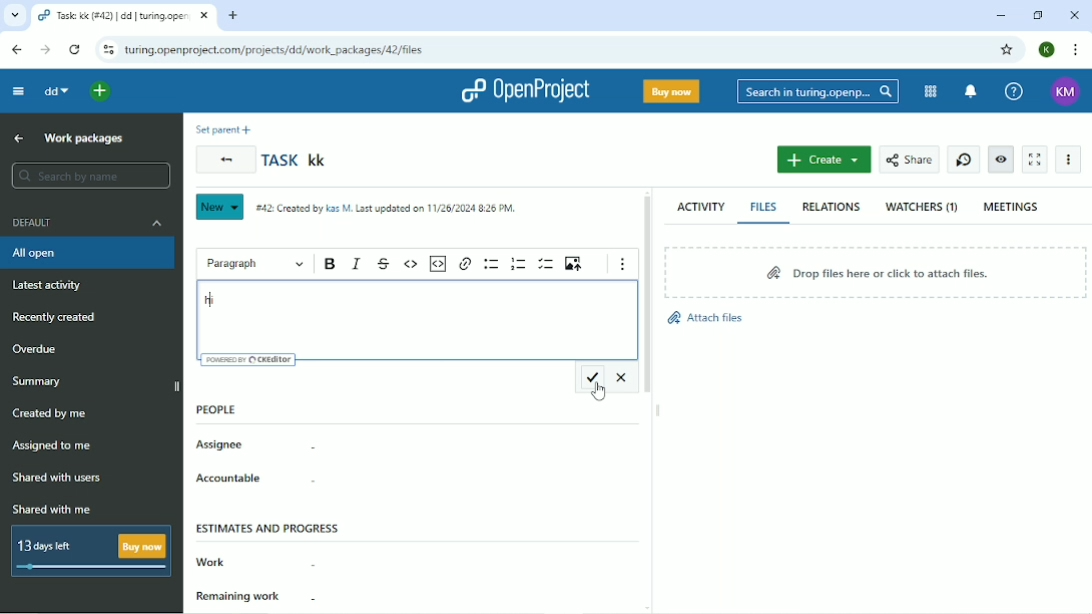 The height and width of the screenshot is (614, 1092). I want to click on Work, so click(257, 562).